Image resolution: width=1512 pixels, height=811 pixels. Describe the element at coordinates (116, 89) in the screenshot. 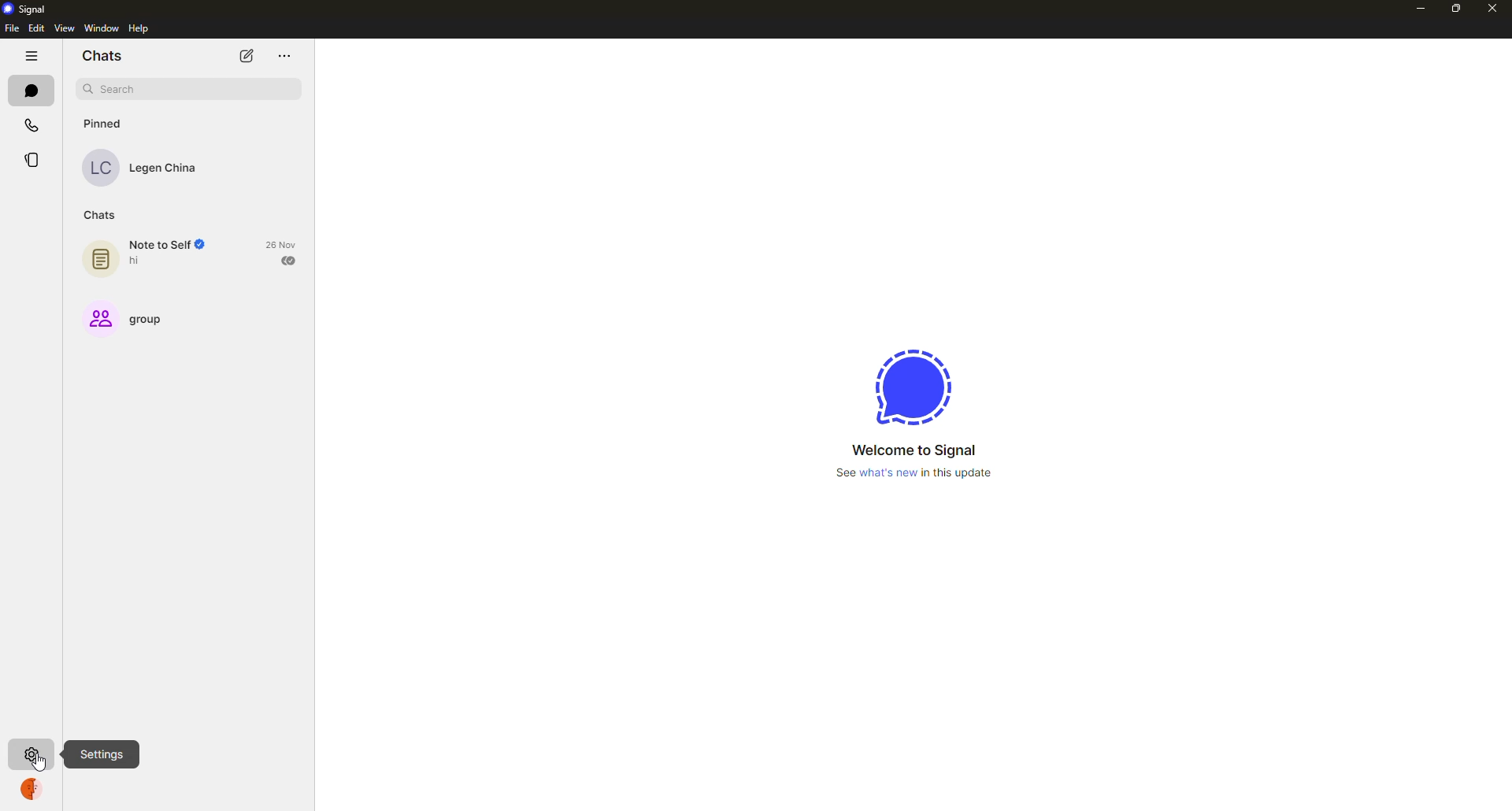

I see `search` at that location.